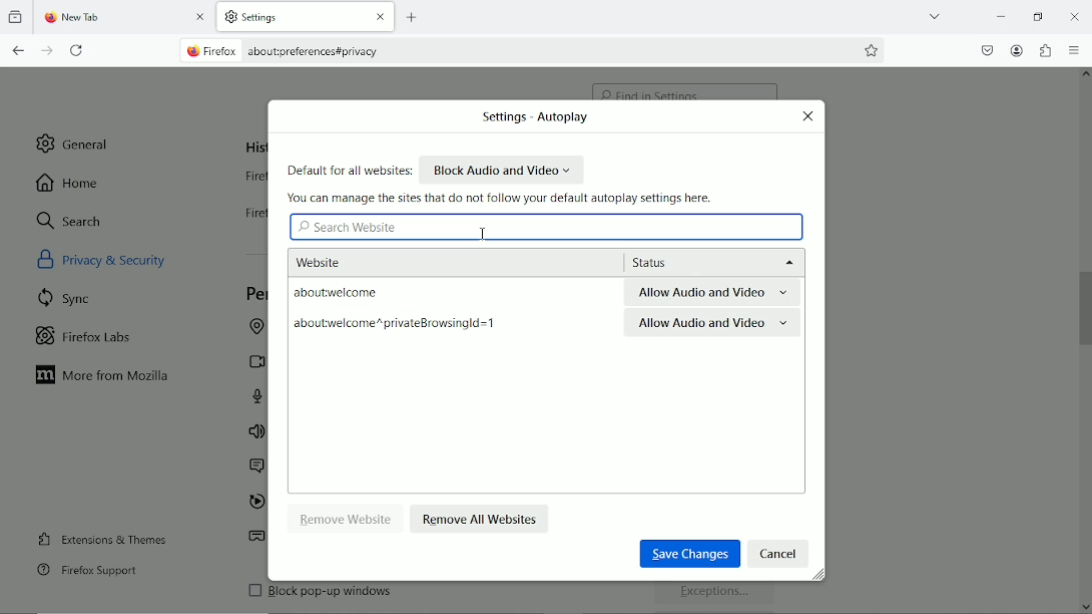  I want to click on firefox, so click(224, 52).